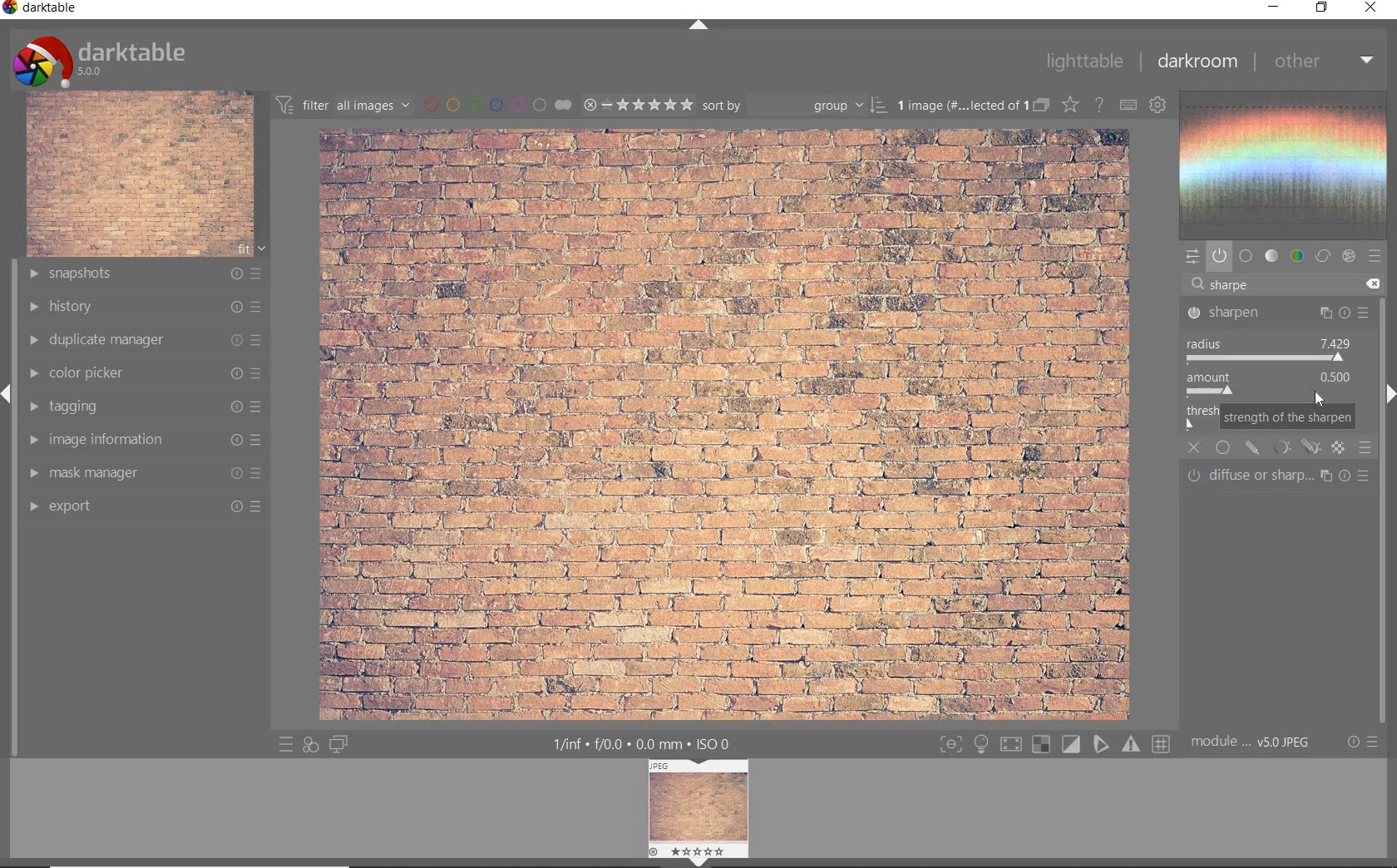  What do you see at coordinates (147, 307) in the screenshot?
I see `history` at bounding box center [147, 307].